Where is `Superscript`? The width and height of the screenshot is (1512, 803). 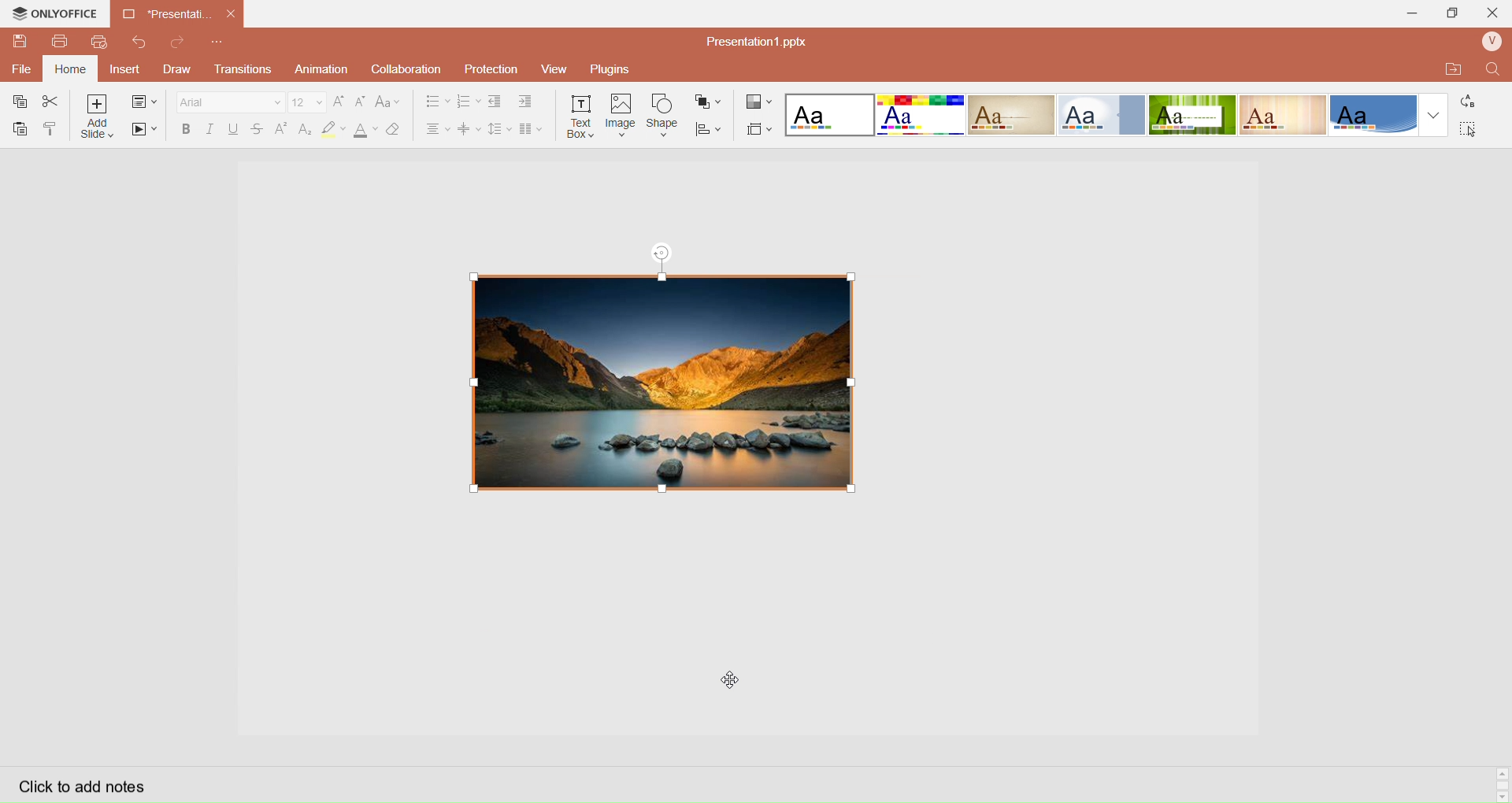 Superscript is located at coordinates (281, 129).